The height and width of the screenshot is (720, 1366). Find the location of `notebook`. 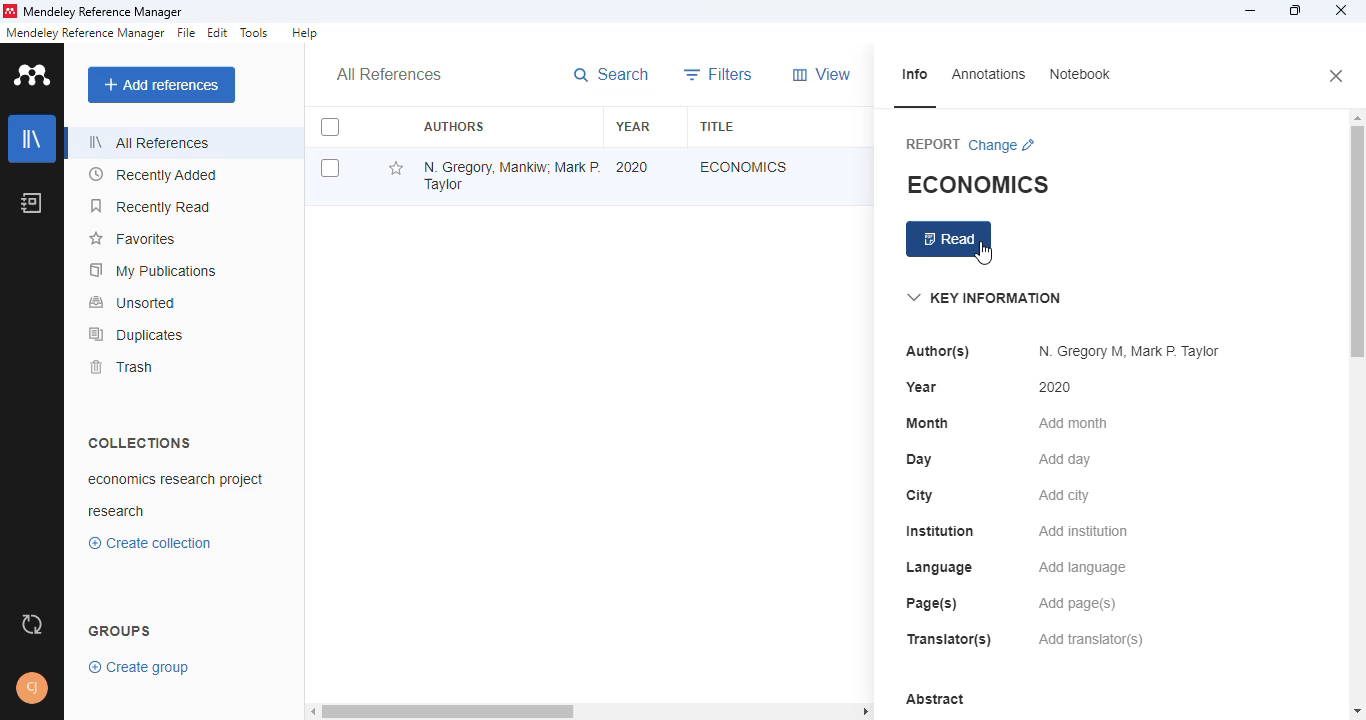

notebook is located at coordinates (1078, 75).